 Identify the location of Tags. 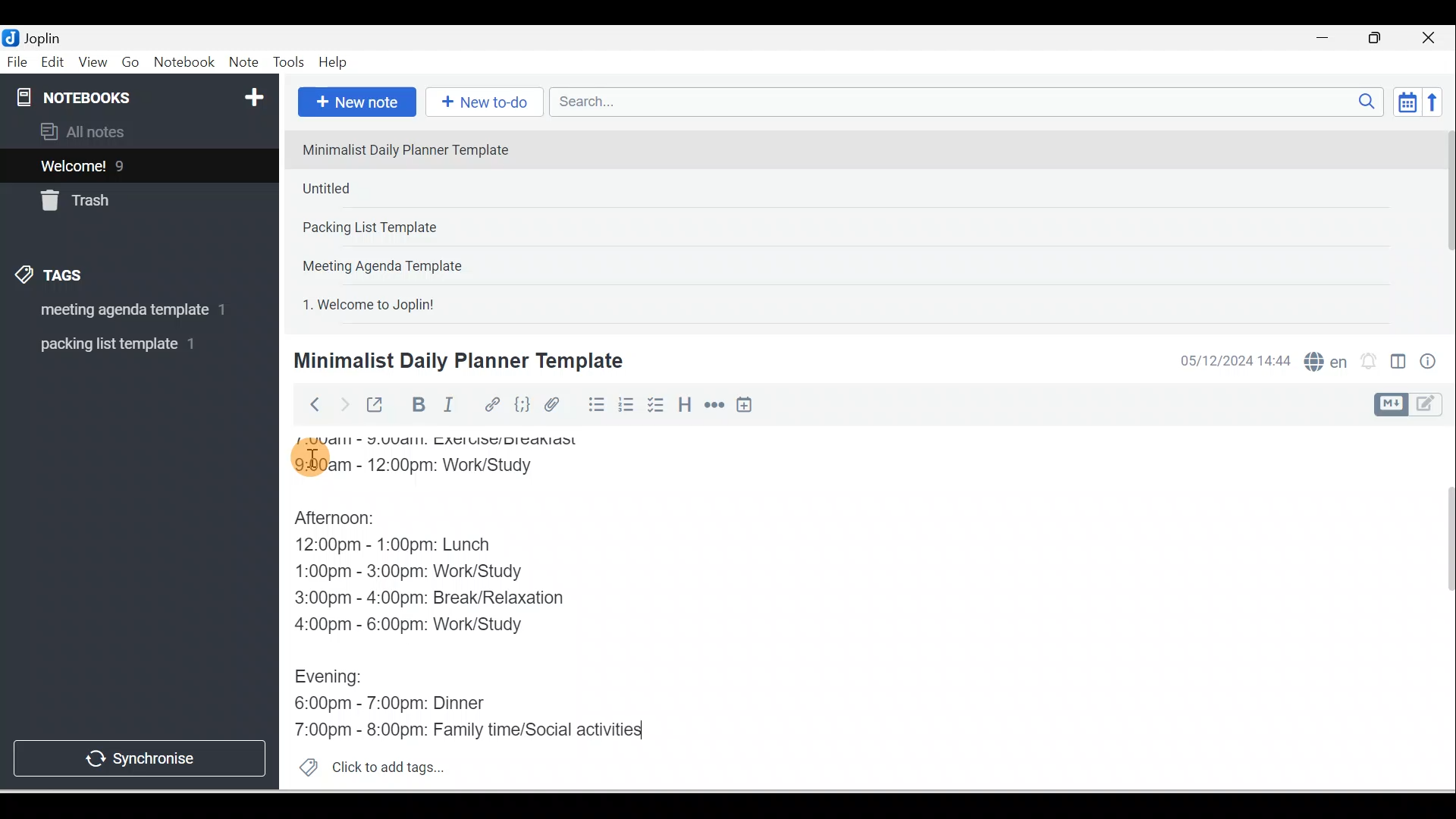
(54, 278).